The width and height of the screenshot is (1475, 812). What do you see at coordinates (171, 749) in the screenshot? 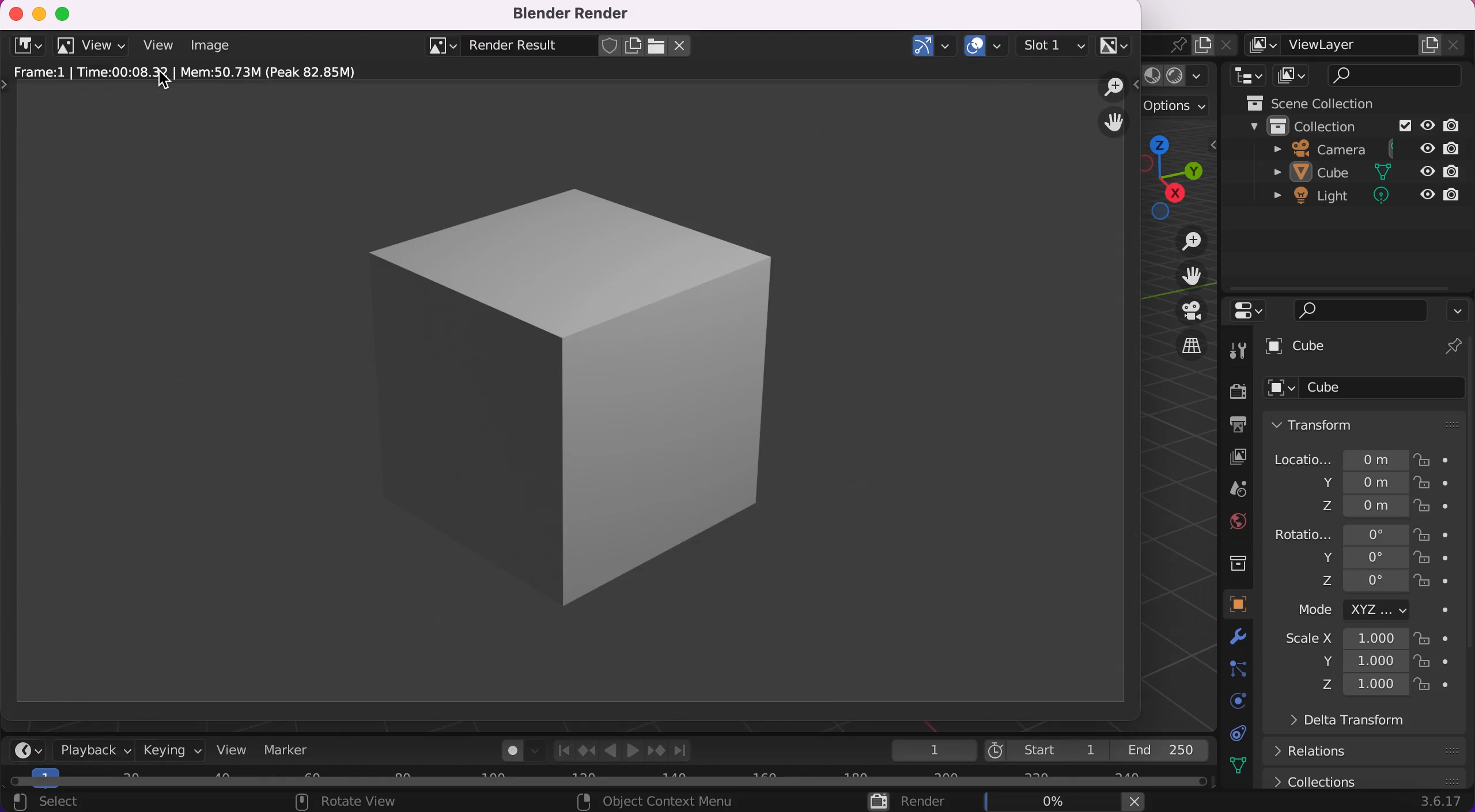
I see `keying` at bounding box center [171, 749].